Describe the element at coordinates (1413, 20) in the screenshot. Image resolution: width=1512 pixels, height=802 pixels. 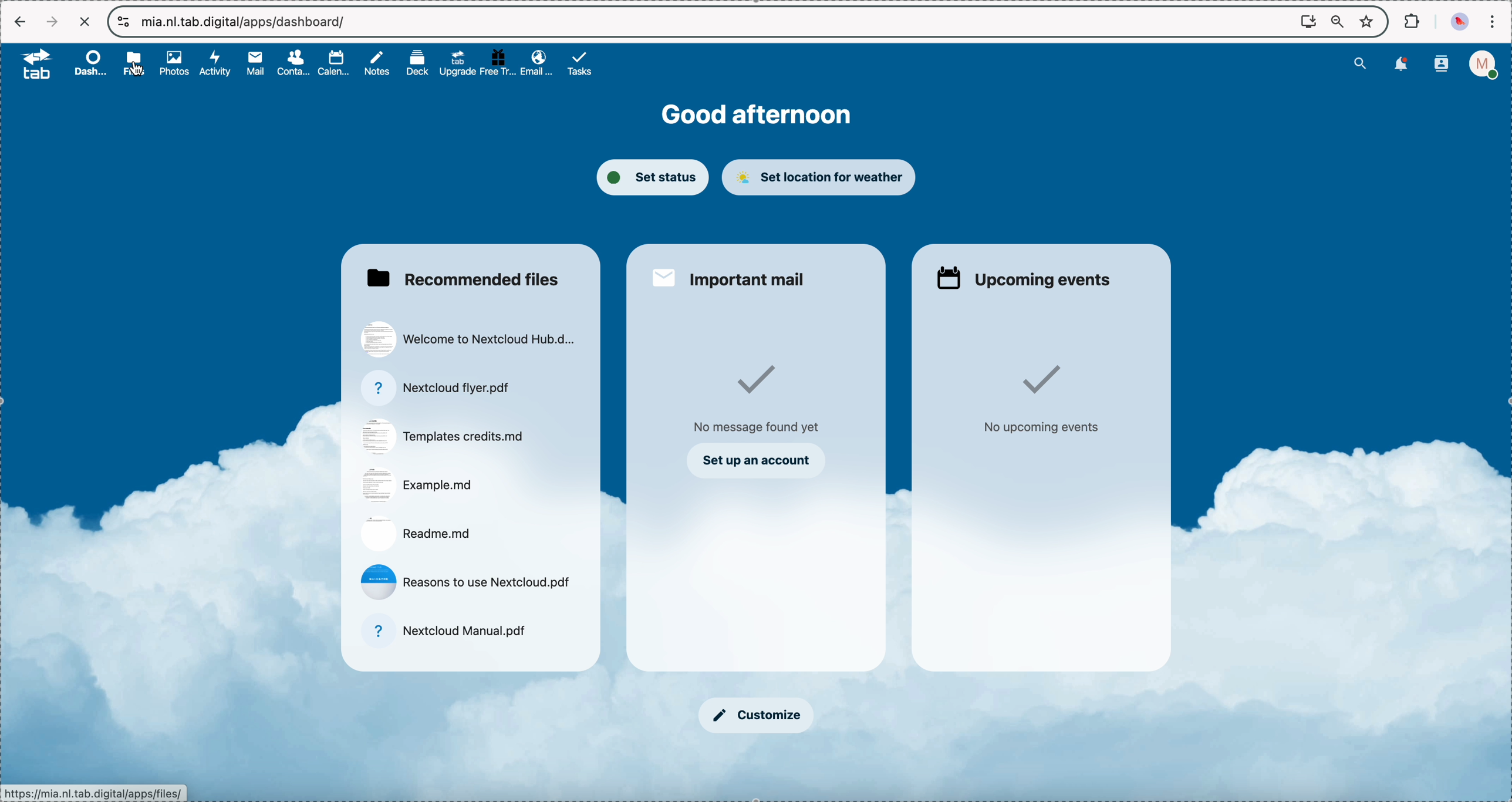
I see `extensions` at that location.